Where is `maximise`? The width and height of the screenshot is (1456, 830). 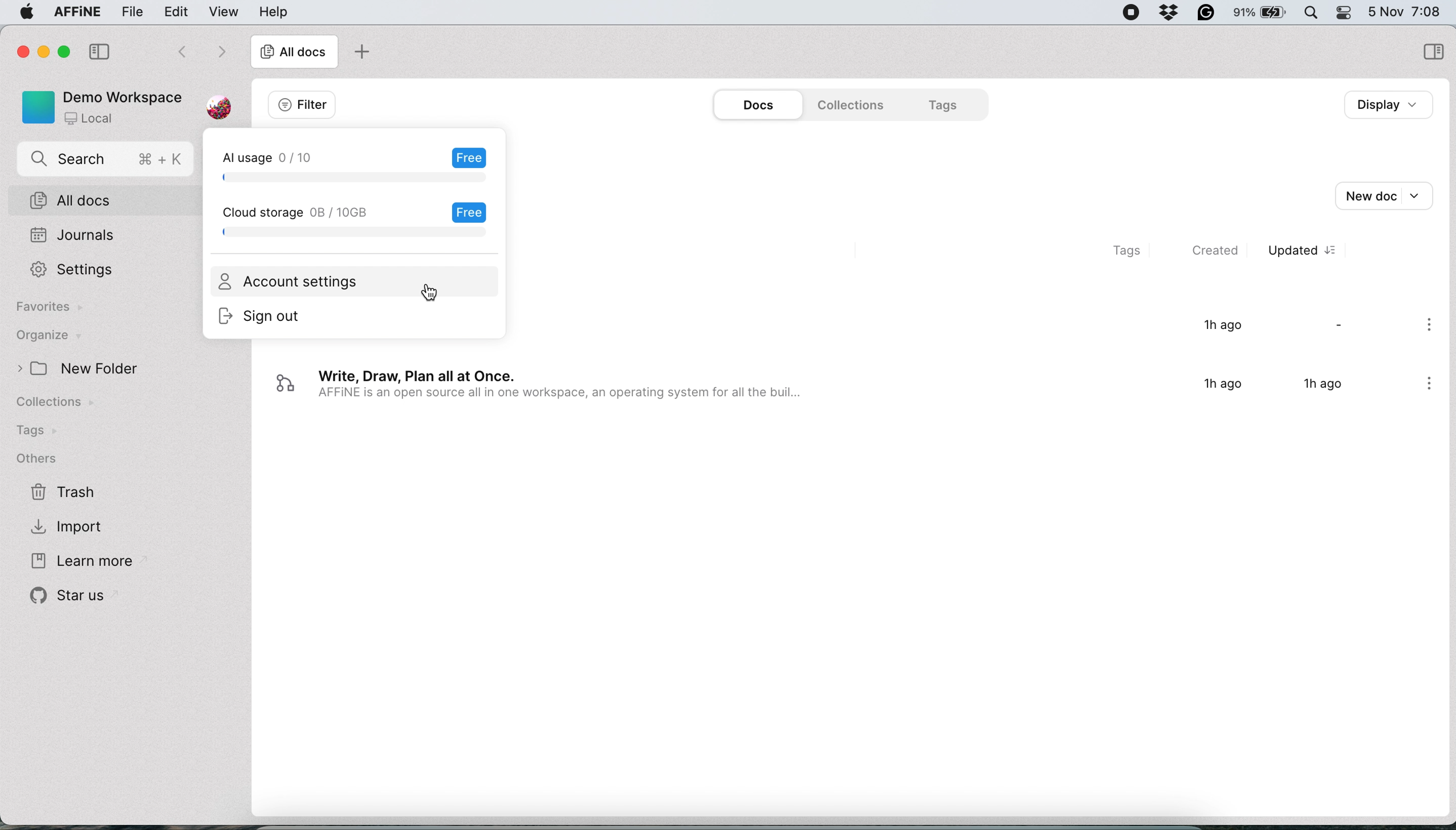
maximise is located at coordinates (59, 52).